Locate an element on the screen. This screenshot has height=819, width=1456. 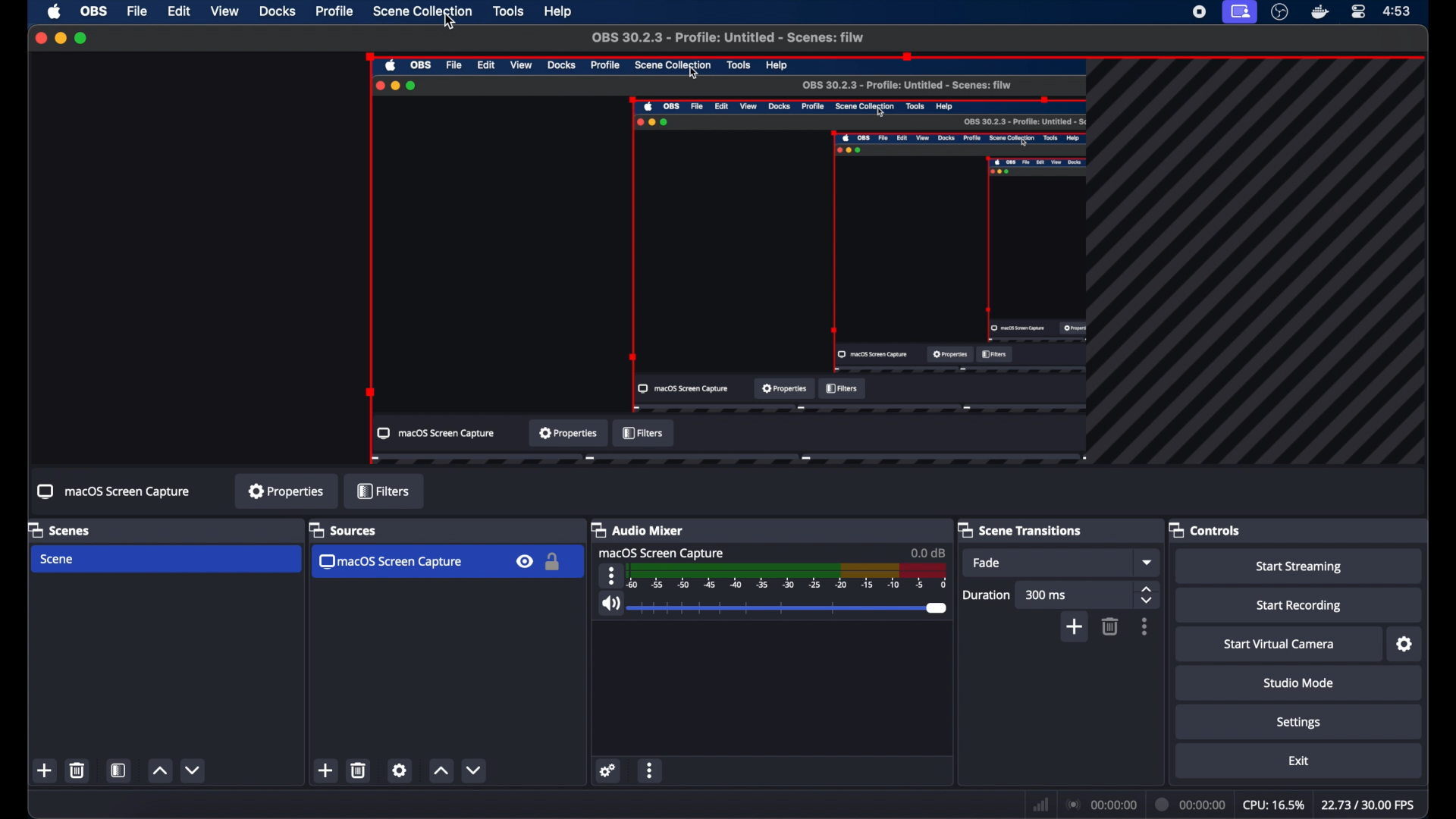
preview is located at coordinates (726, 265).